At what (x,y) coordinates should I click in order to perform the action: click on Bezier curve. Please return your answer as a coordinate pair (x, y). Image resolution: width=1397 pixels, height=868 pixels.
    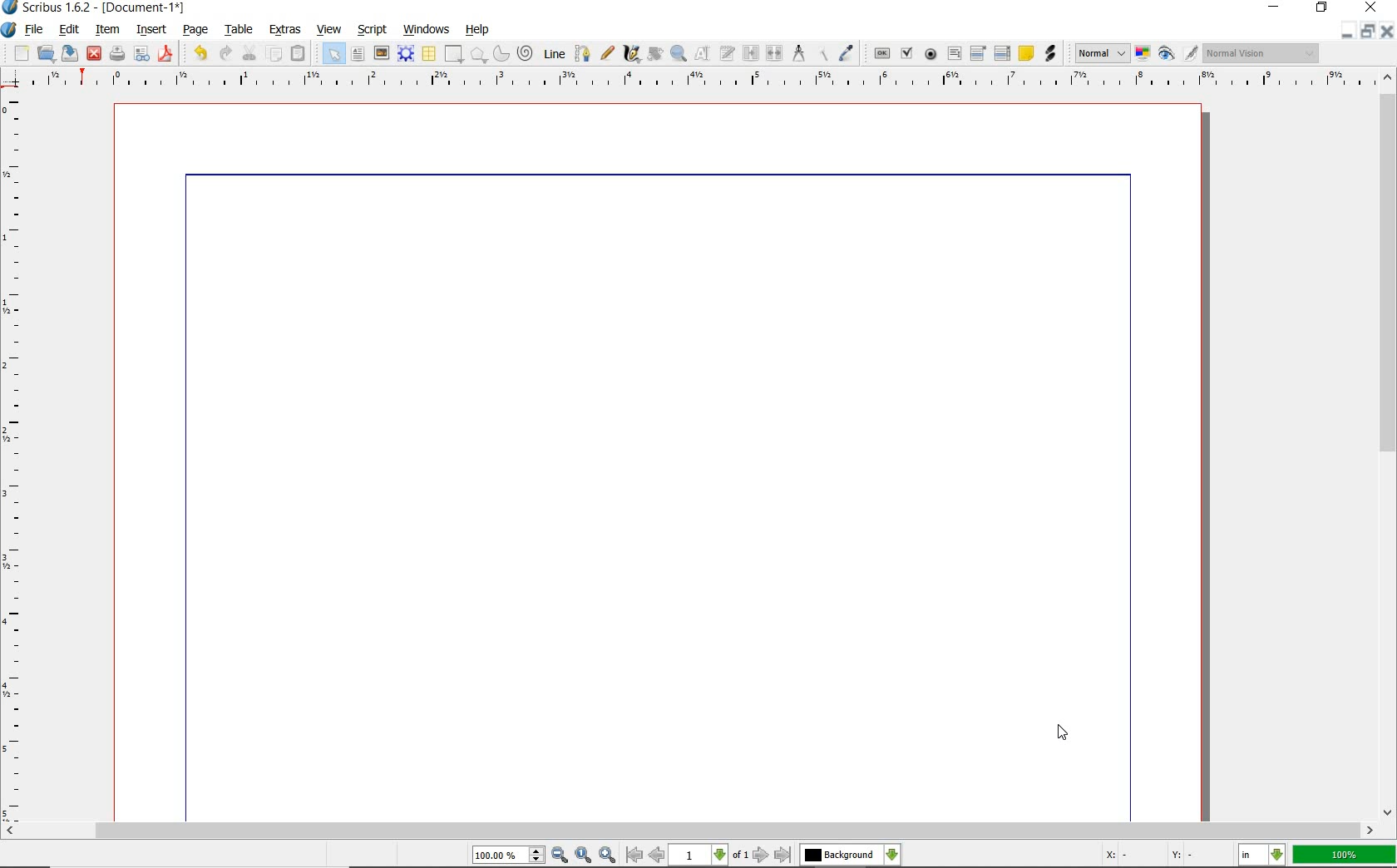
    Looking at the image, I should click on (582, 53).